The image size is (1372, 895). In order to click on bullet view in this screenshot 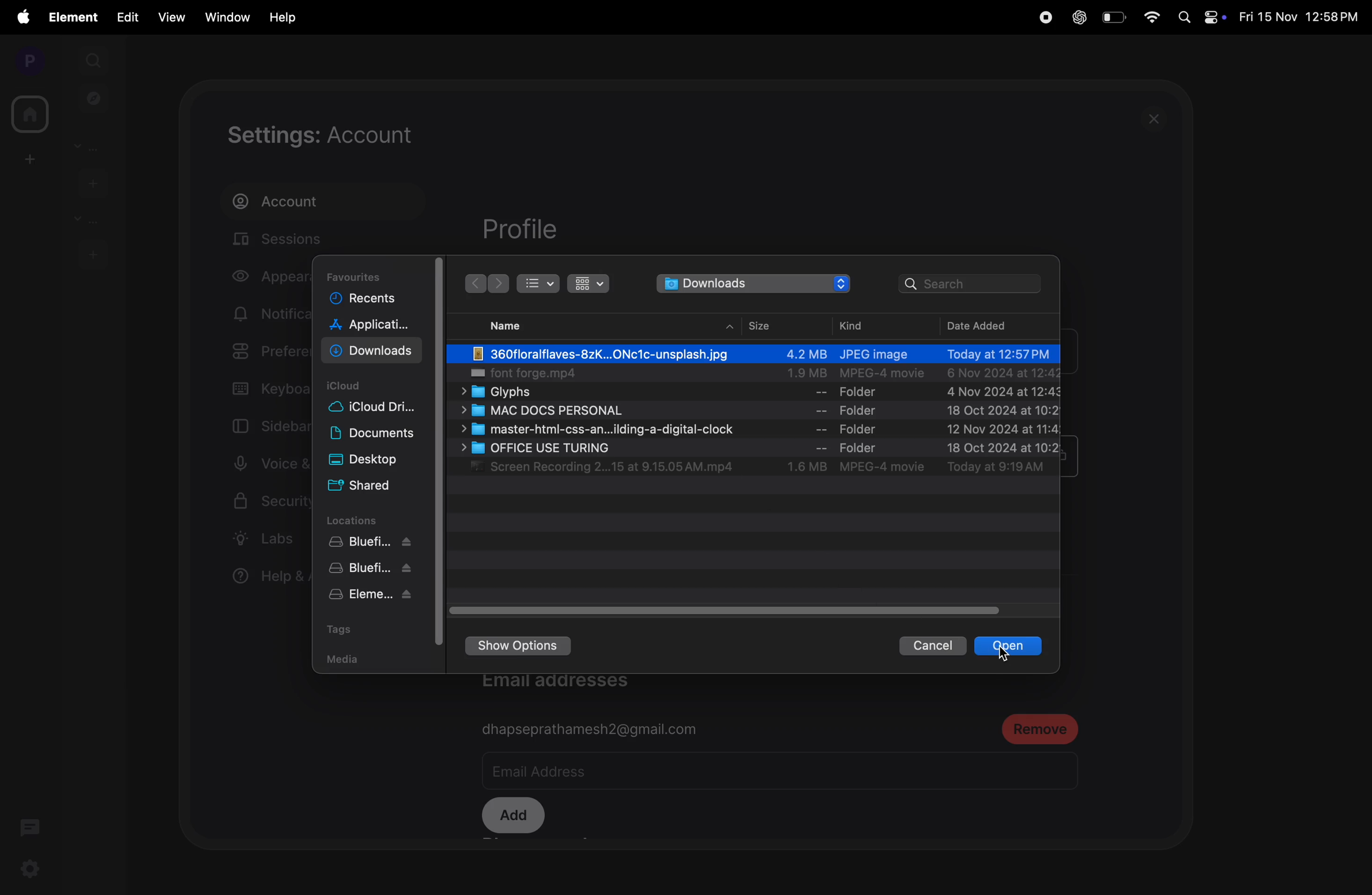, I will do `click(540, 283)`.